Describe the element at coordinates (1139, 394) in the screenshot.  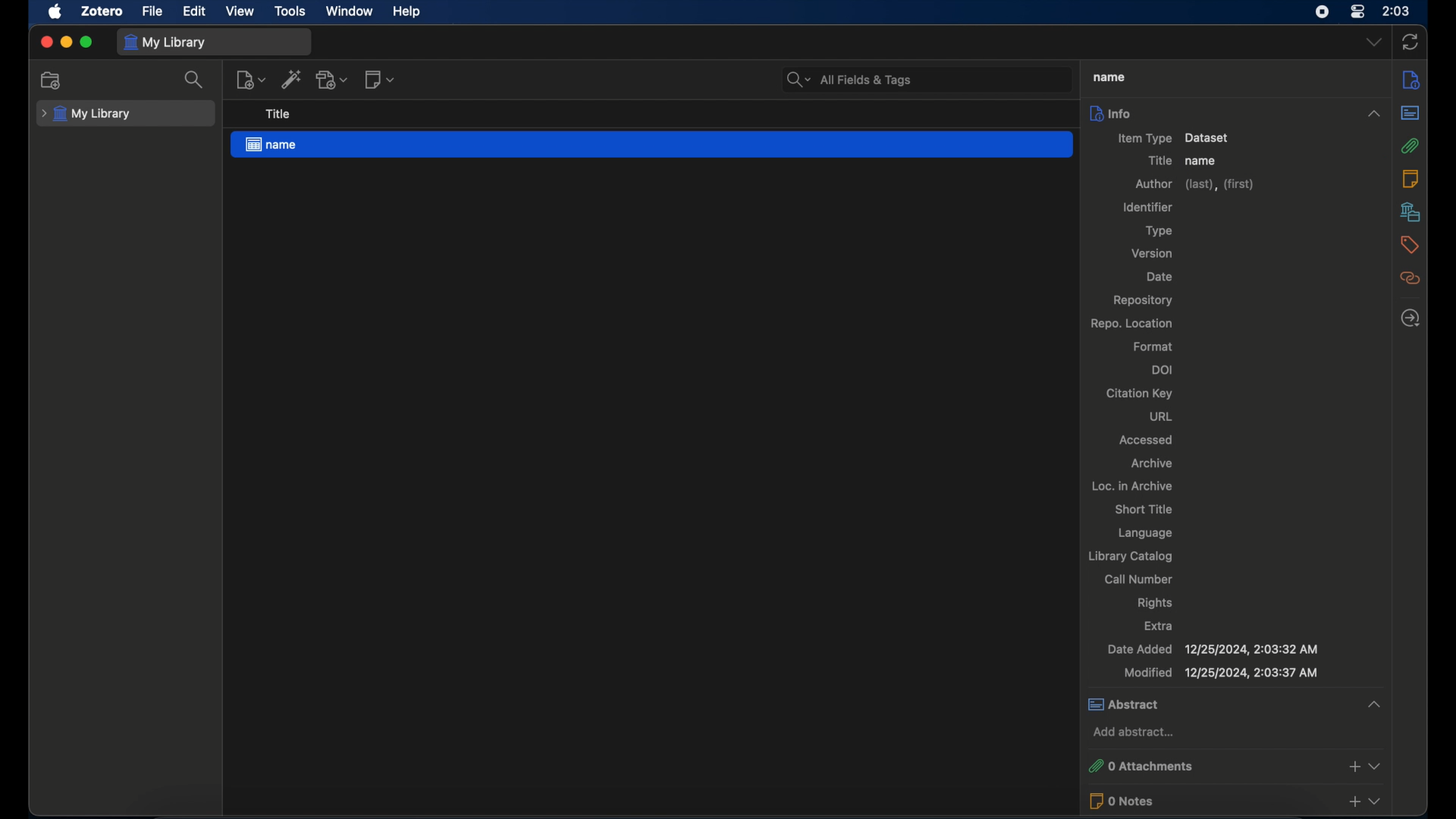
I see `citation key` at that location.